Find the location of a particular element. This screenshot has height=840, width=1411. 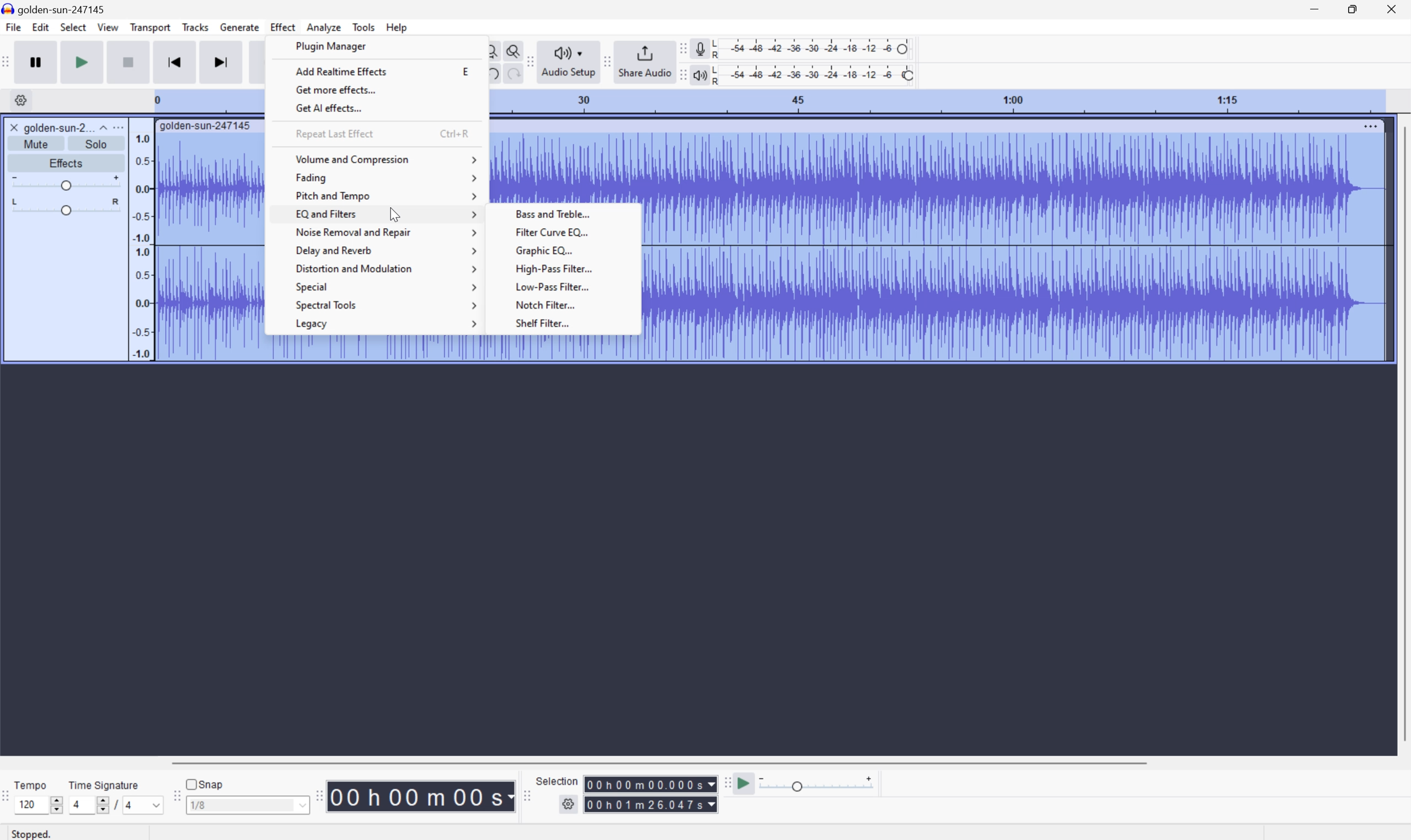

Zoom toggle is located at coordinates (509, 49).